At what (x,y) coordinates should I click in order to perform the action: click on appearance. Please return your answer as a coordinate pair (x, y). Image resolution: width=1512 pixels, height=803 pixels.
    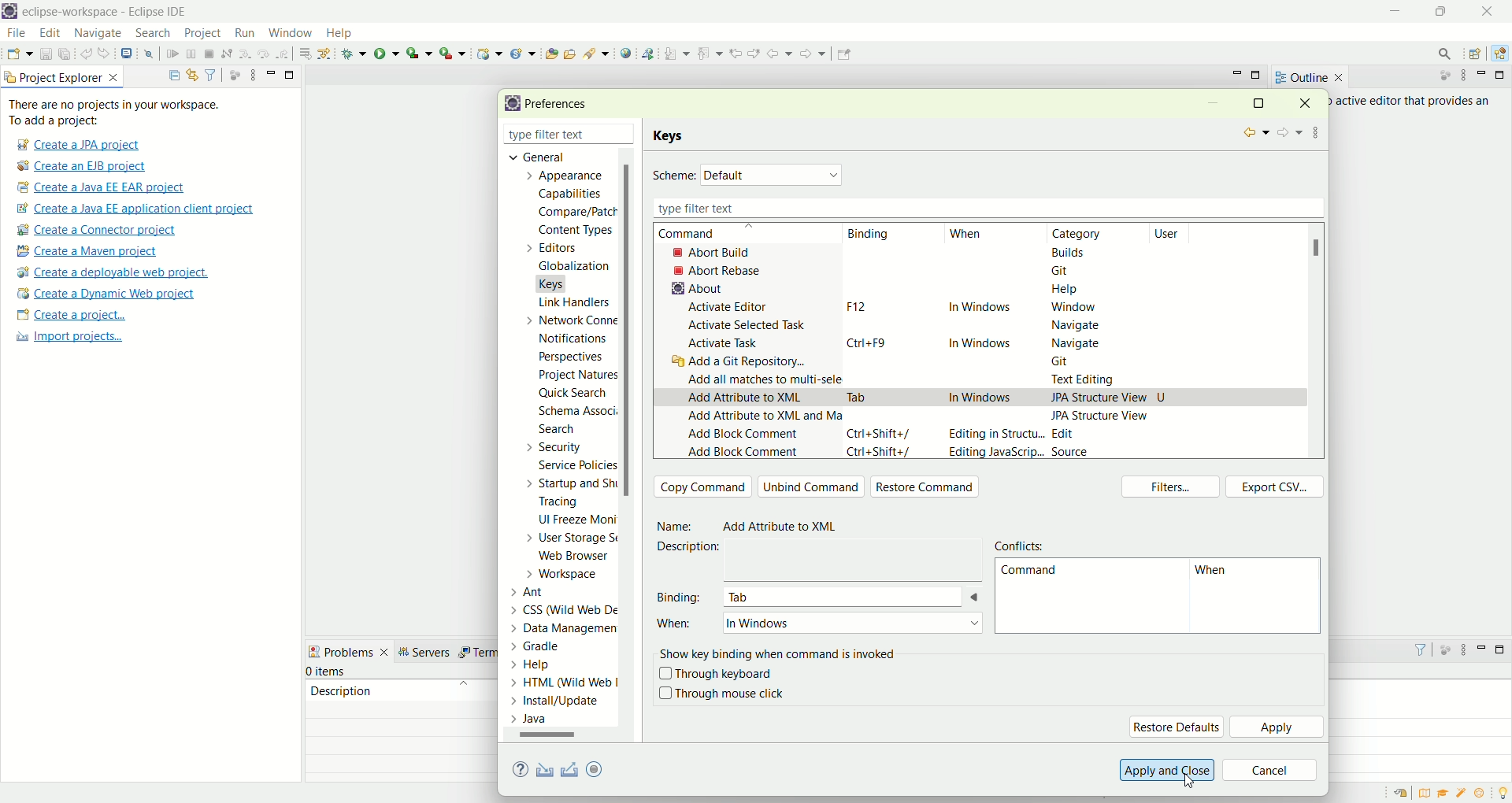
    Looking at the image, I should click on (569, 177).